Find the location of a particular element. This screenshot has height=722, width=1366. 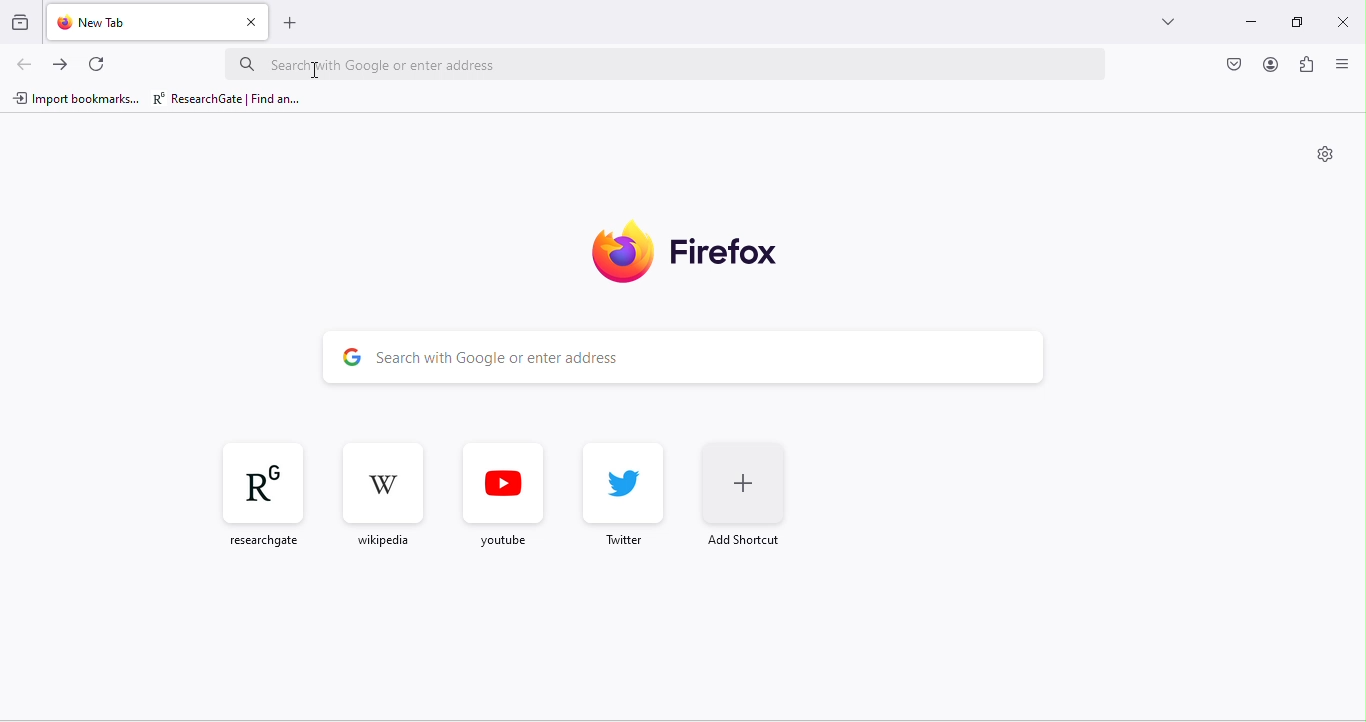

maximize is located at coordinates (1301, 22).